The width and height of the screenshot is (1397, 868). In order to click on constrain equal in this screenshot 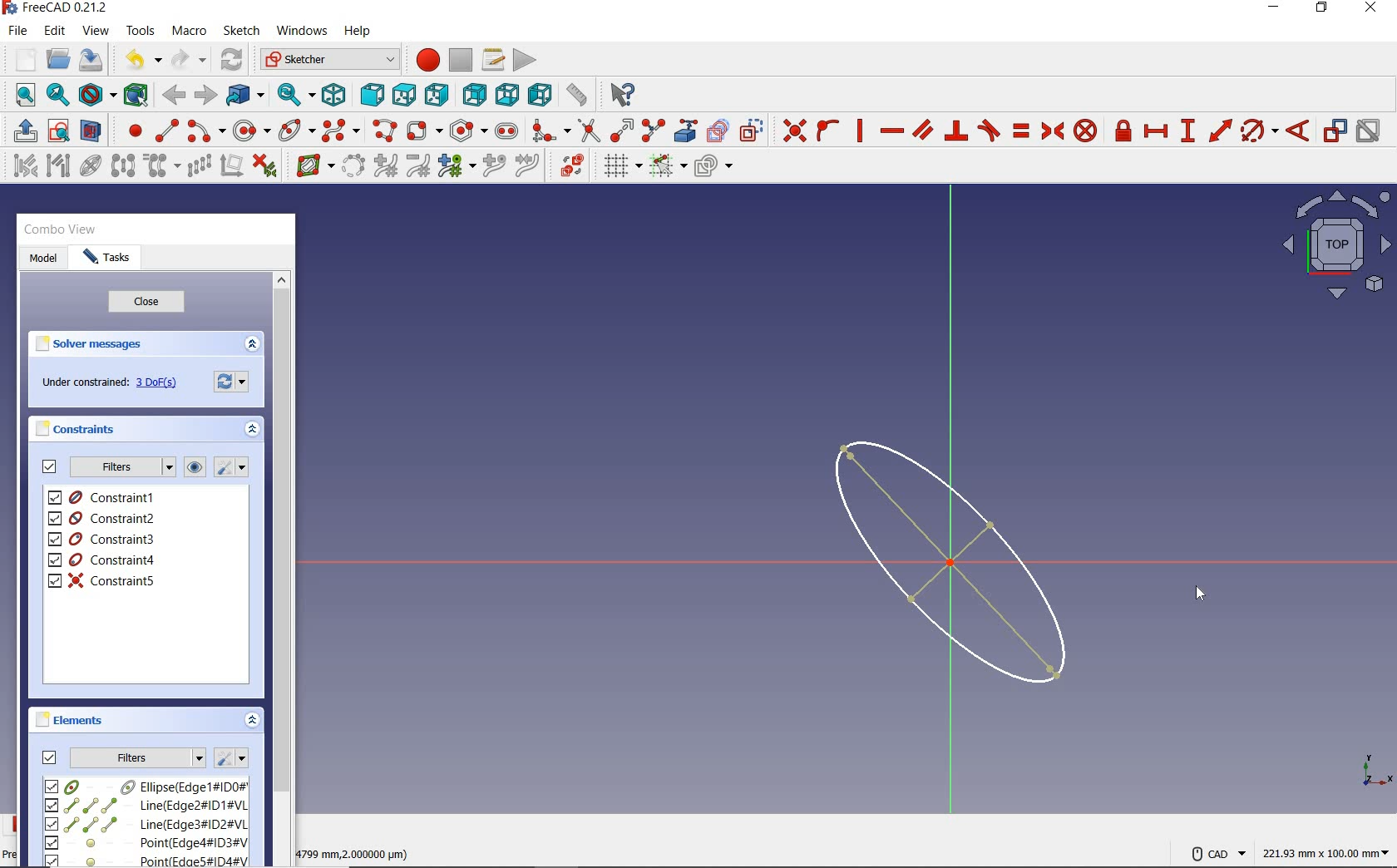, I will do `click(1022, 131)`.